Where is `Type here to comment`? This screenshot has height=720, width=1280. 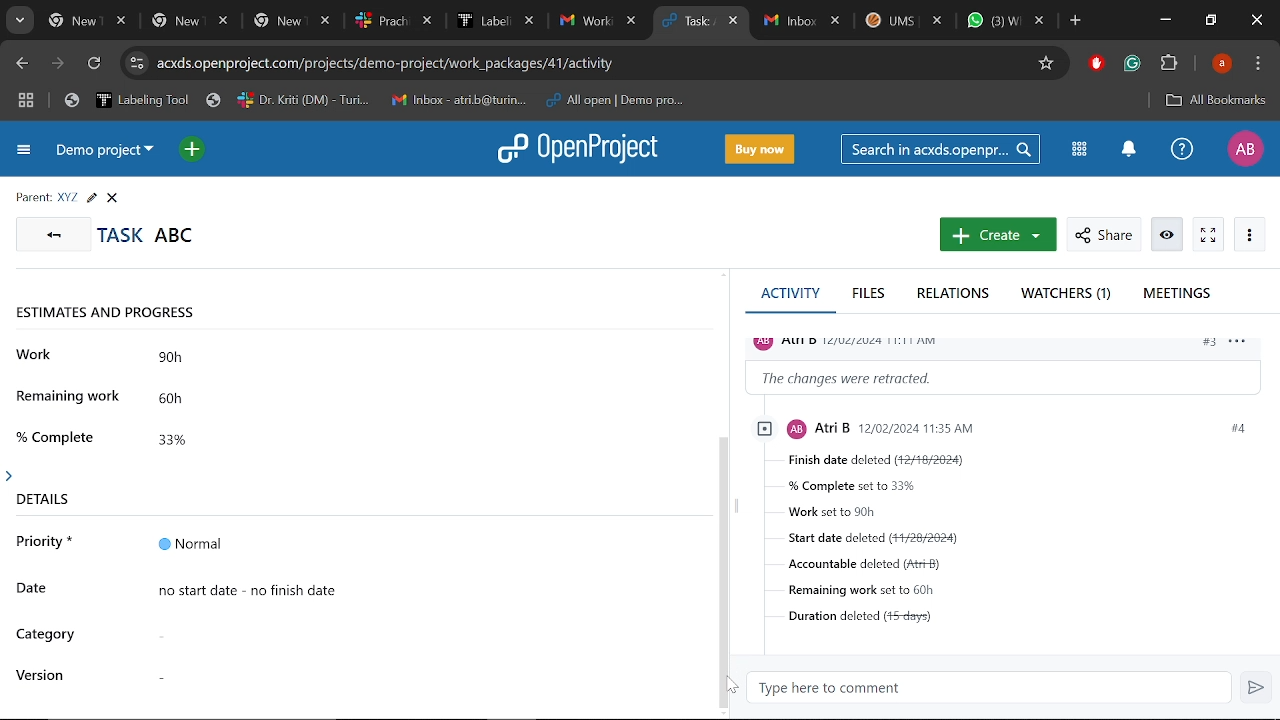
Type here to comment is located at coordinates (990, 688).